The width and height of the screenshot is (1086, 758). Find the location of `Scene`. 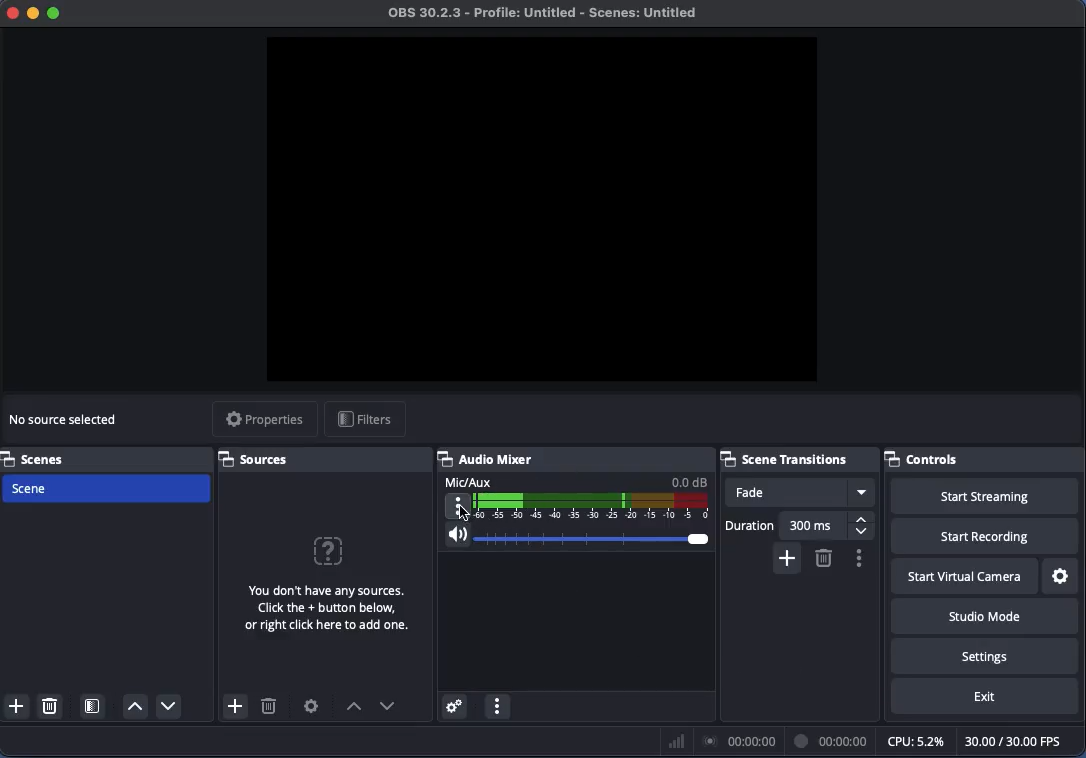

Scene is located at coordinates (111, 486).